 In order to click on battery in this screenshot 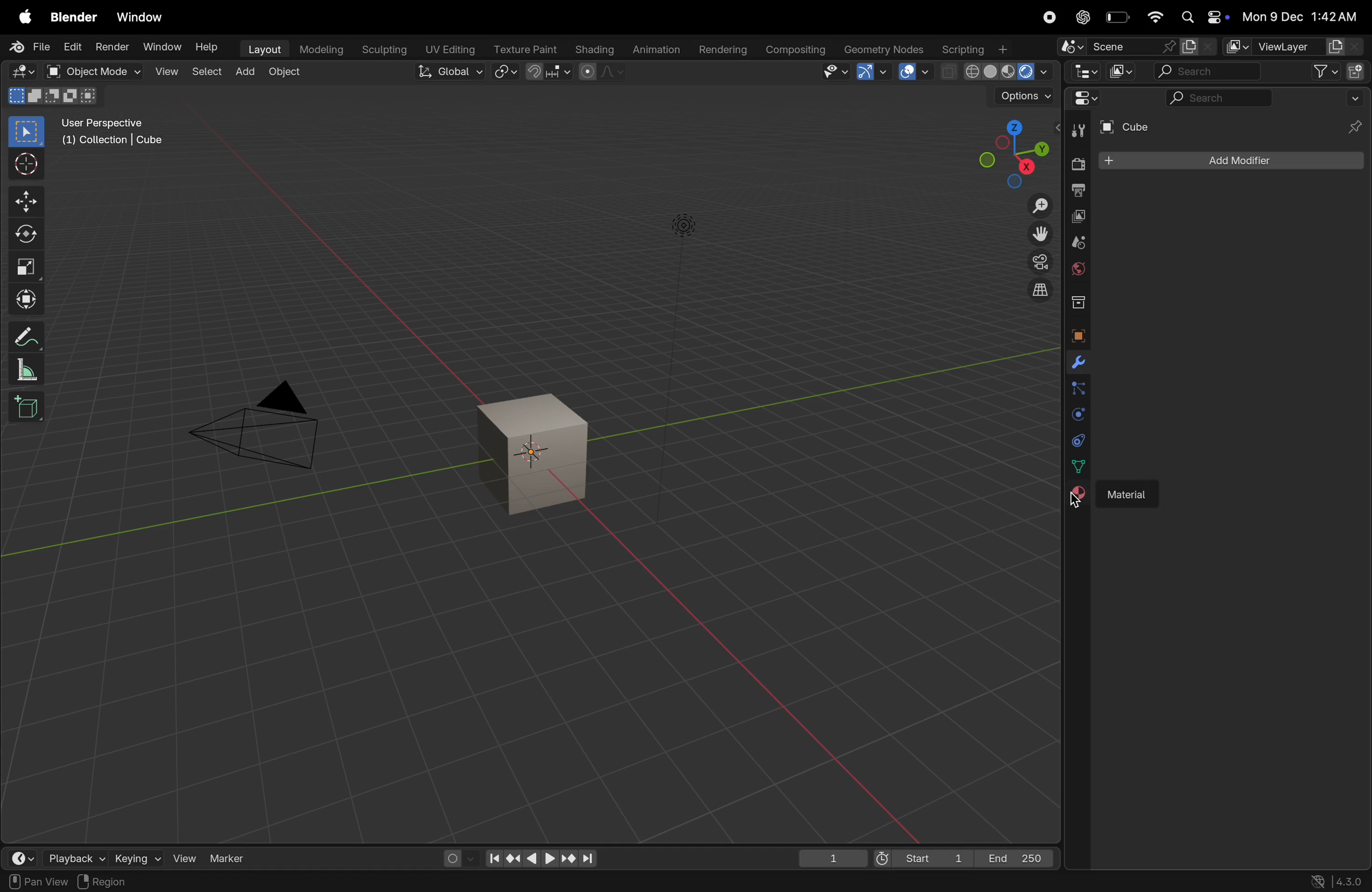, I will do `click(1116, 17)`.